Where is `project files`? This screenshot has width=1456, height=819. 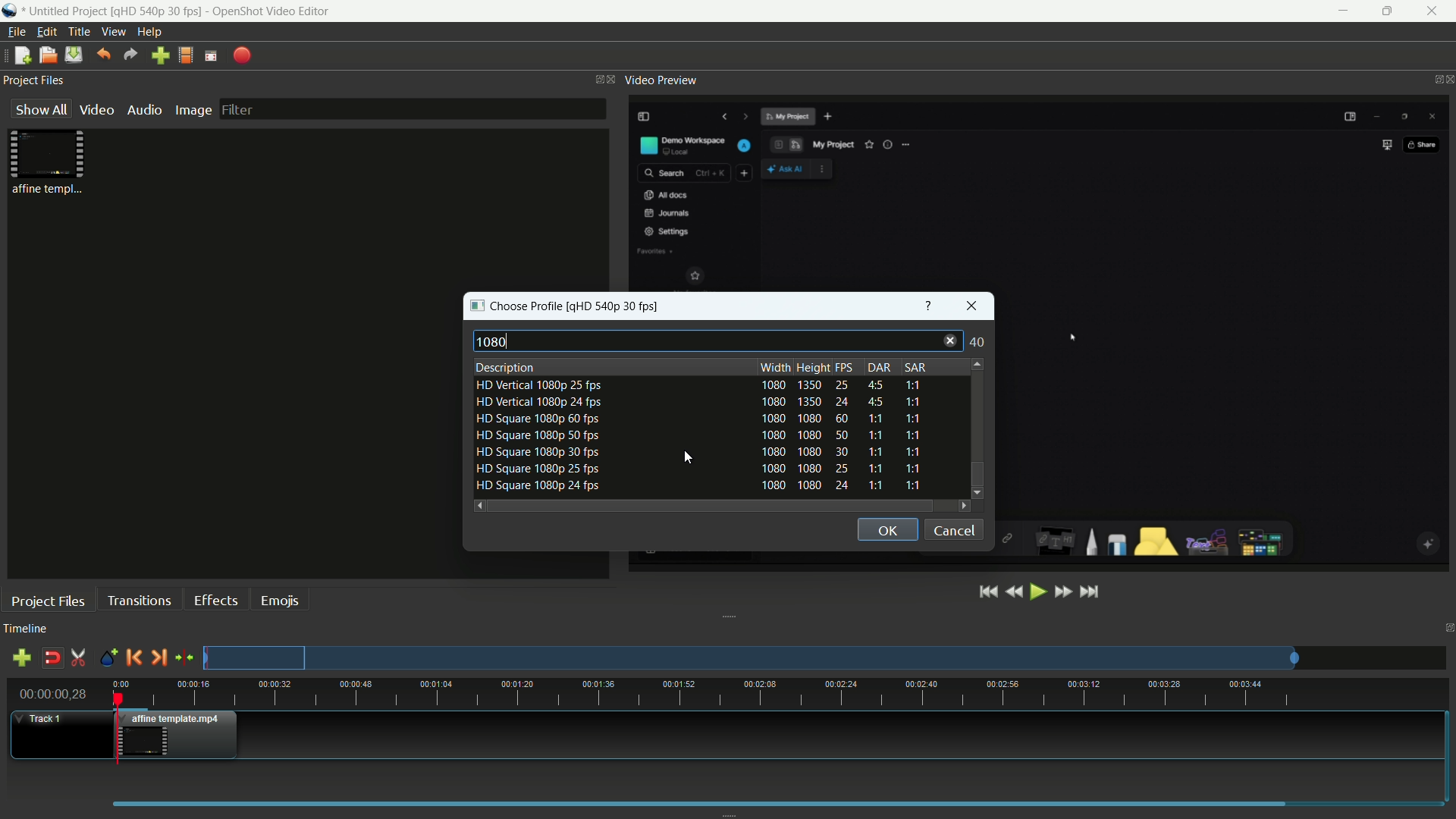
project files is located at coordinates (49, 601).